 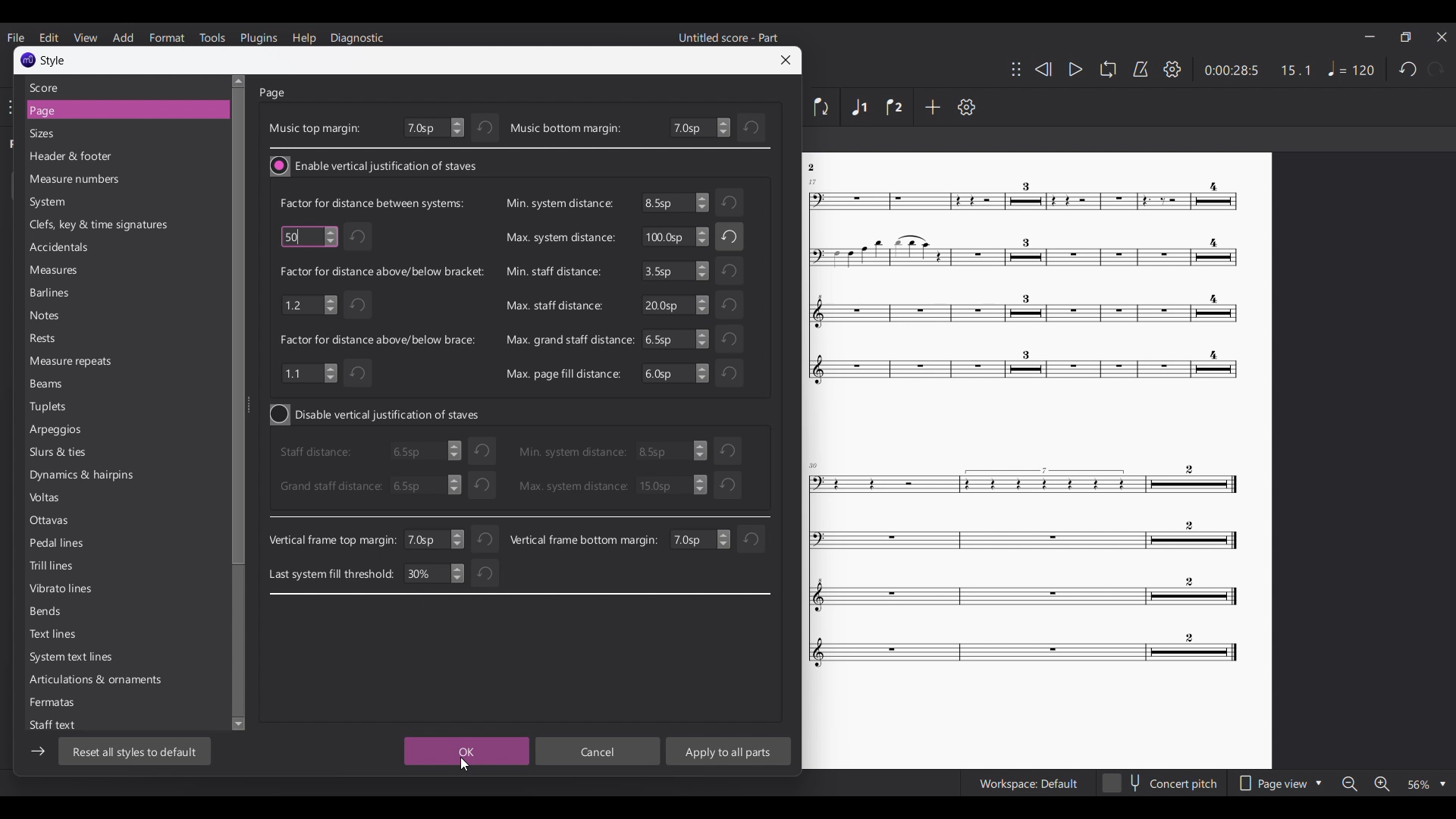 I want to click on Close, so click(x=786, y=60).